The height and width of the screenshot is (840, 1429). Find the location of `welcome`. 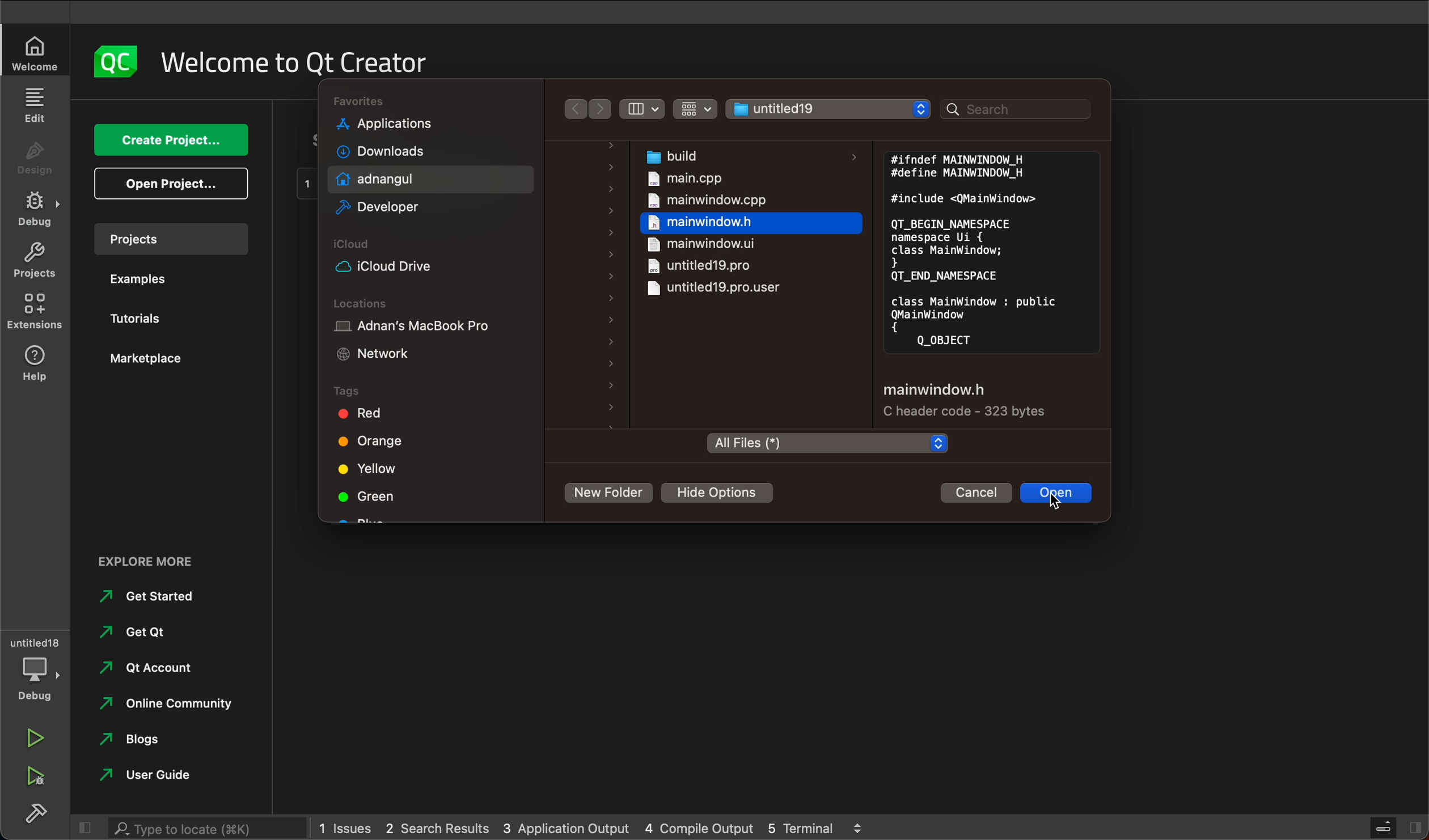

welcome is located at coordinates (33, 54).